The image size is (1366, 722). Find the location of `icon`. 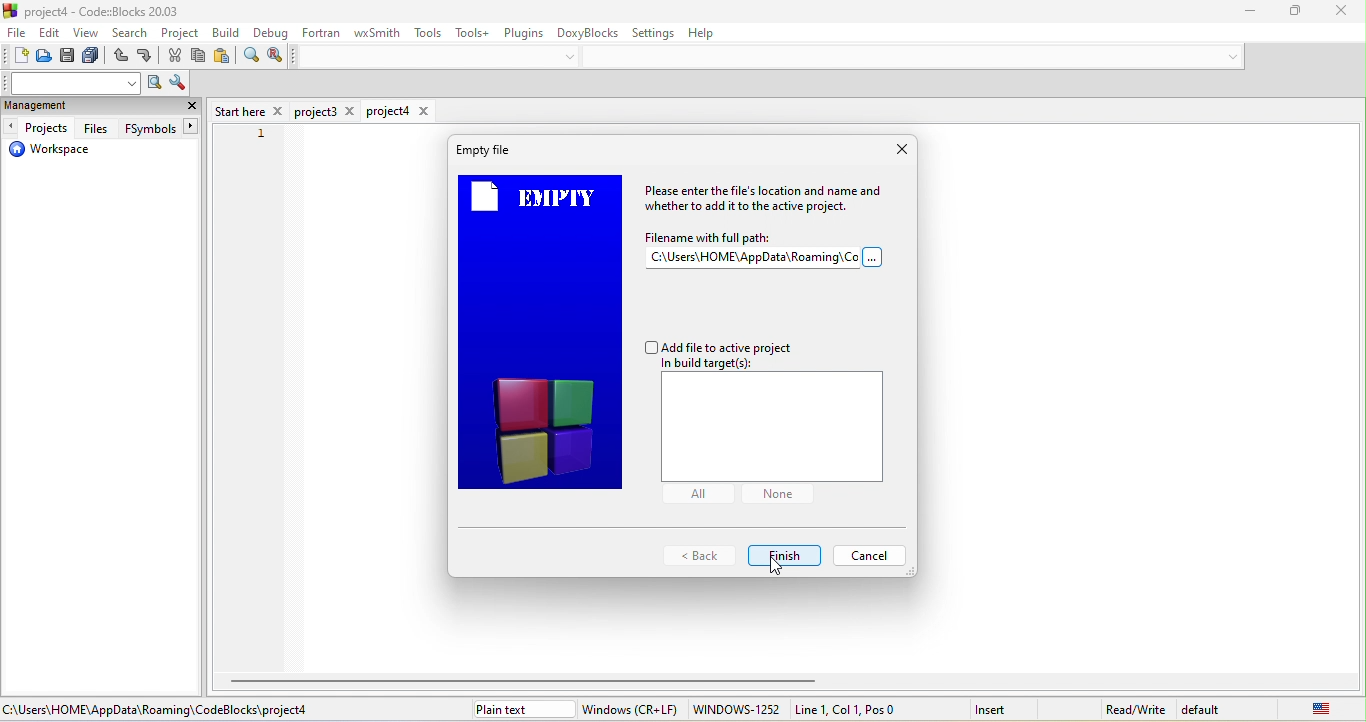

icon is located at coordinates (12, 10).